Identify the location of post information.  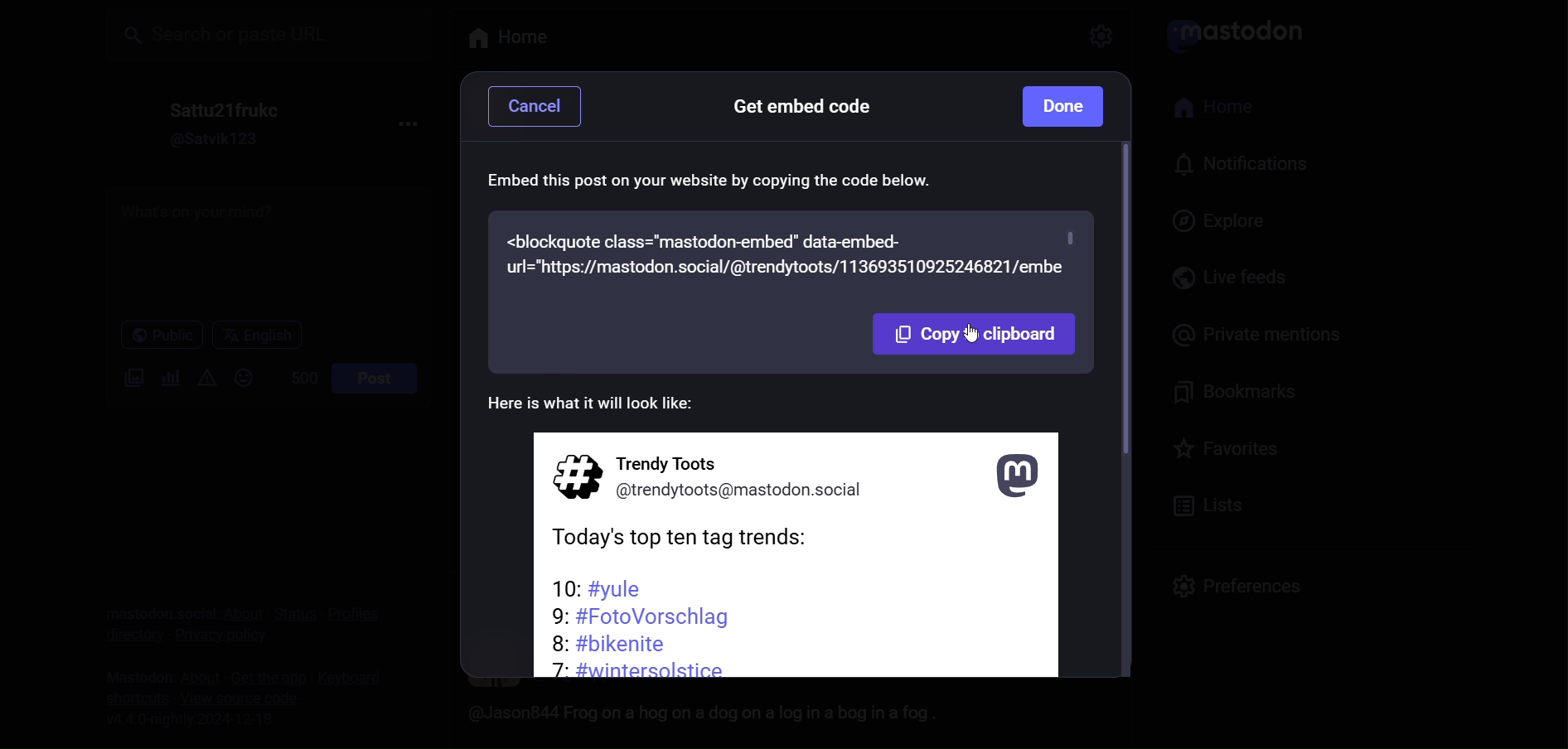
(799, 558).